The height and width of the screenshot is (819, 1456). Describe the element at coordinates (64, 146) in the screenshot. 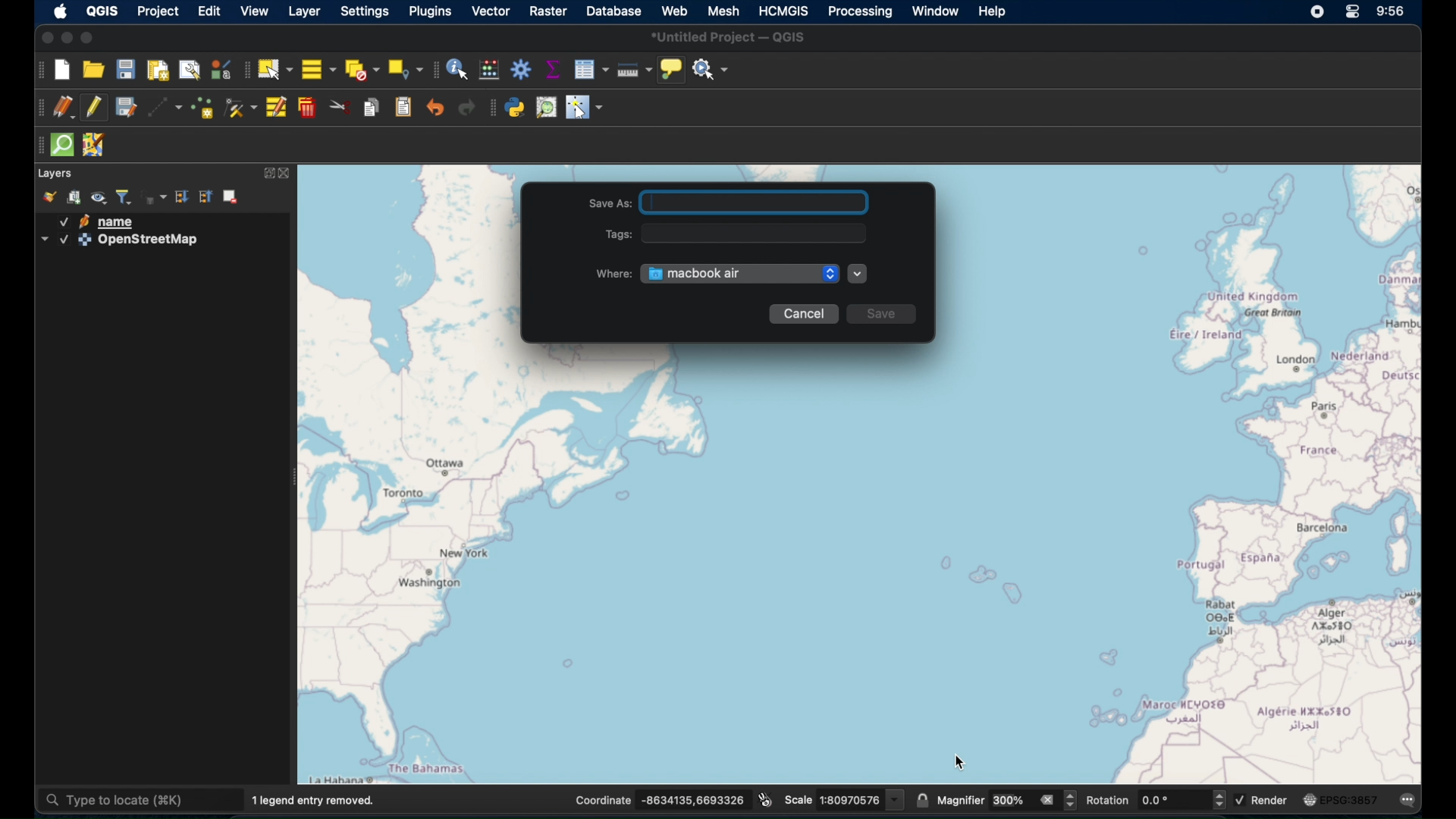

I see `quick som` at that location.